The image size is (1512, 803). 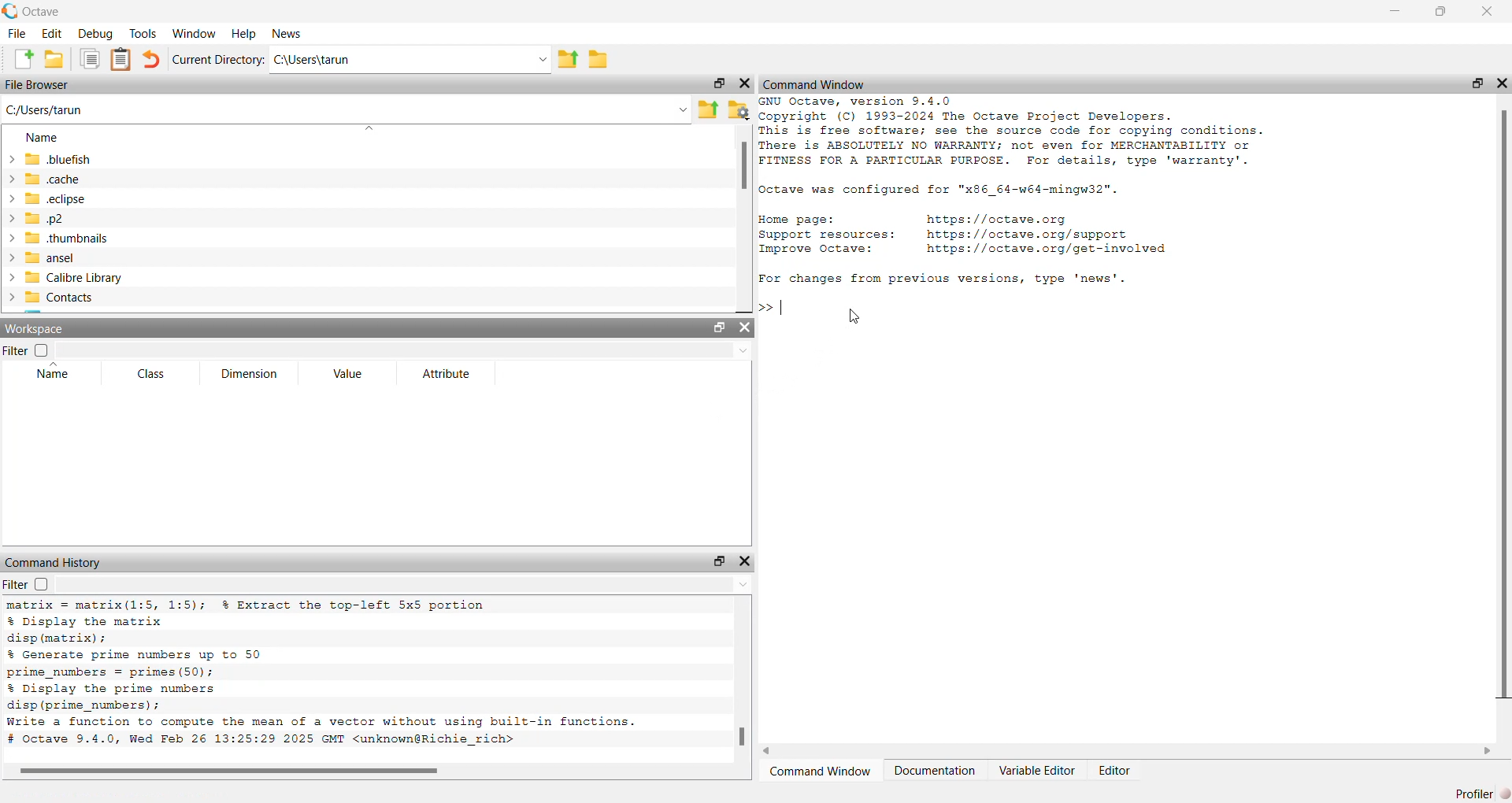 What do you see at coordinates (820, 772) in the screenshot?
I see `‘Command Window` at bounding box center [820, 772].